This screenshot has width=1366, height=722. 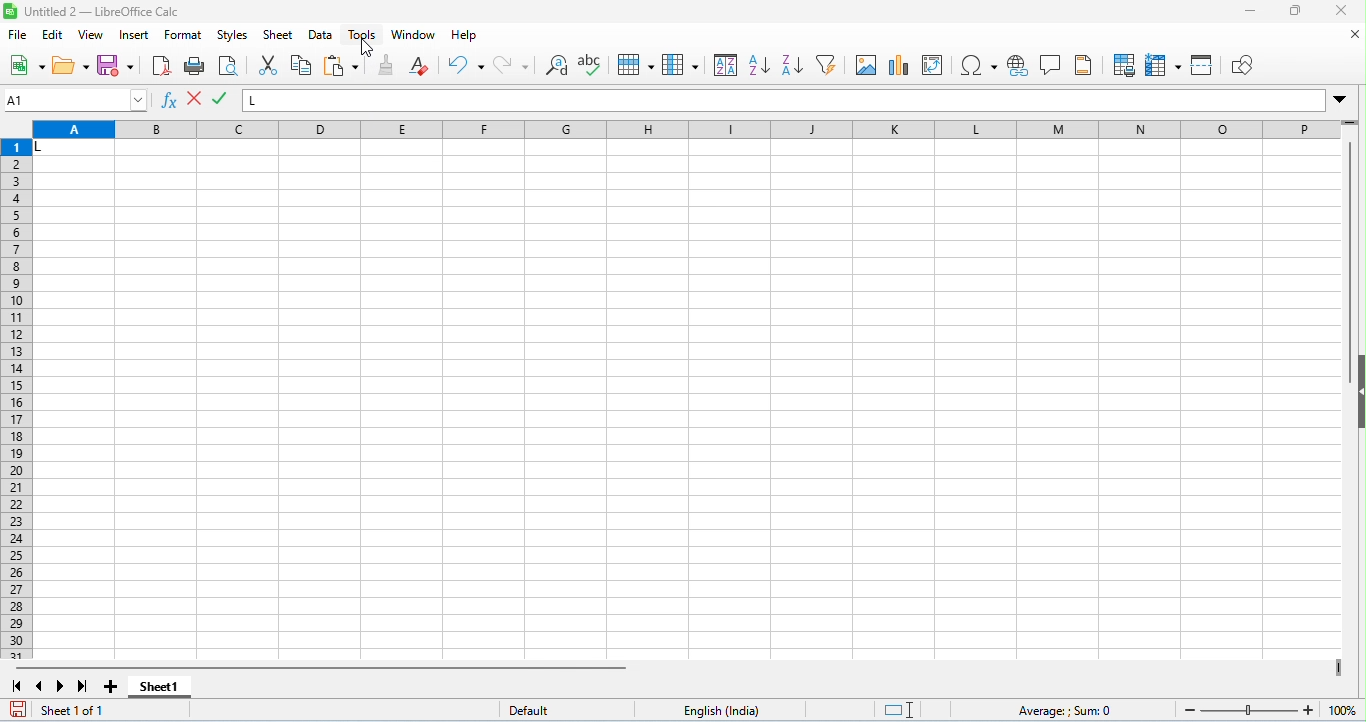 I want to click on sort descending, so click(x=791, y=65).